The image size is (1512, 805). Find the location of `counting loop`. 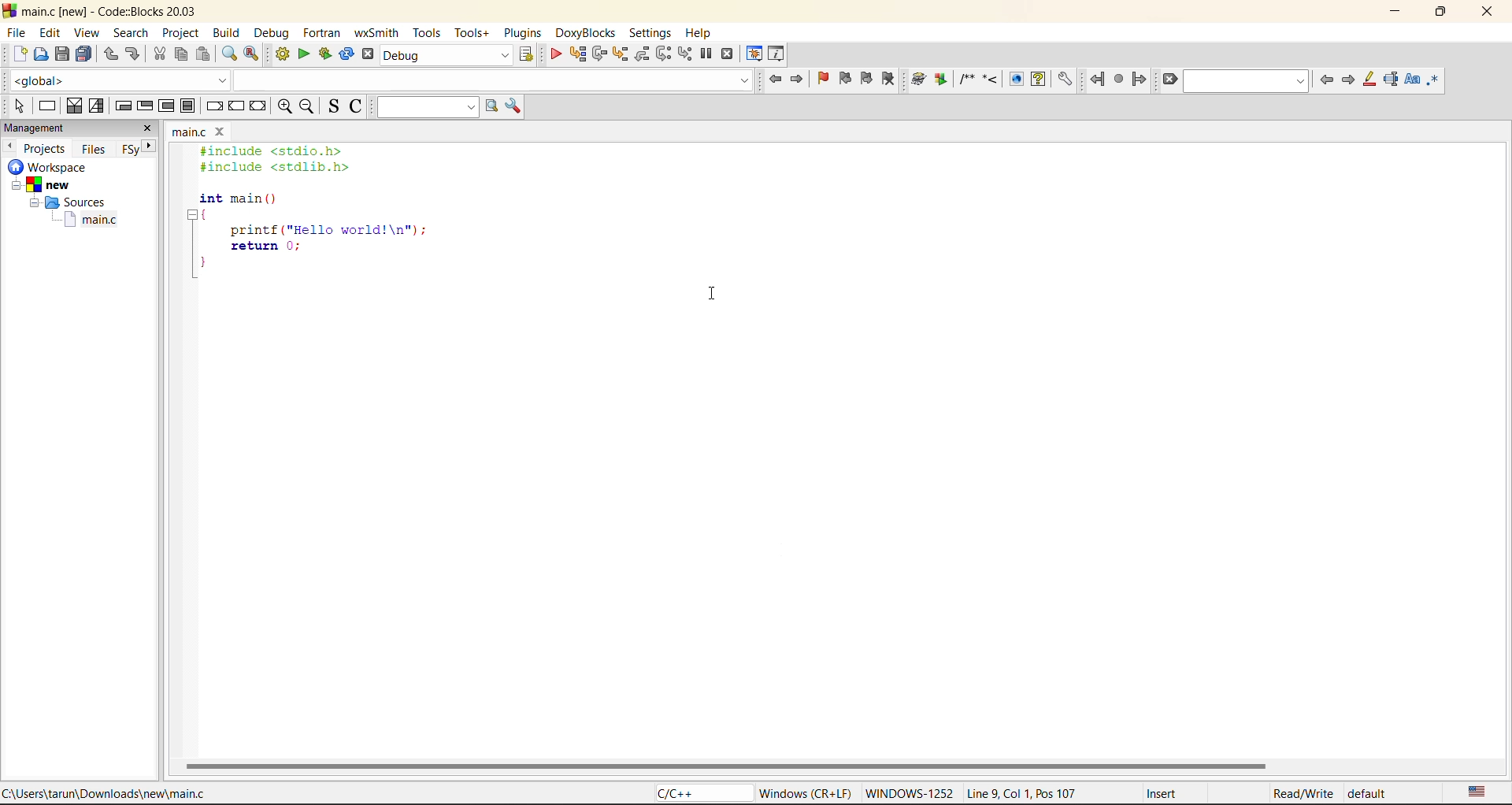

counting loop is located at coordinates (166, 107).